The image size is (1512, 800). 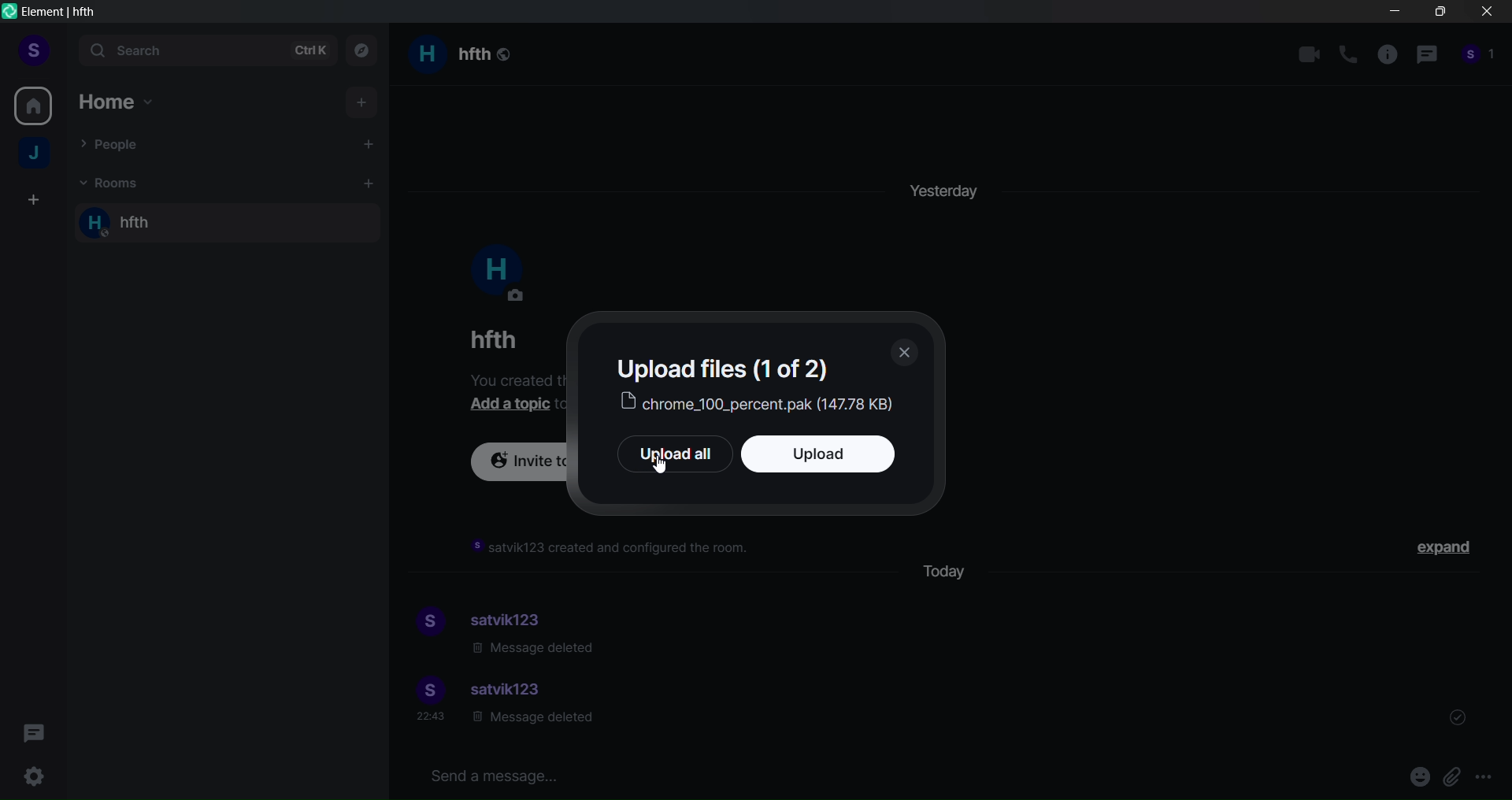 I want to click on message deleted, so click(x=532, y=721).